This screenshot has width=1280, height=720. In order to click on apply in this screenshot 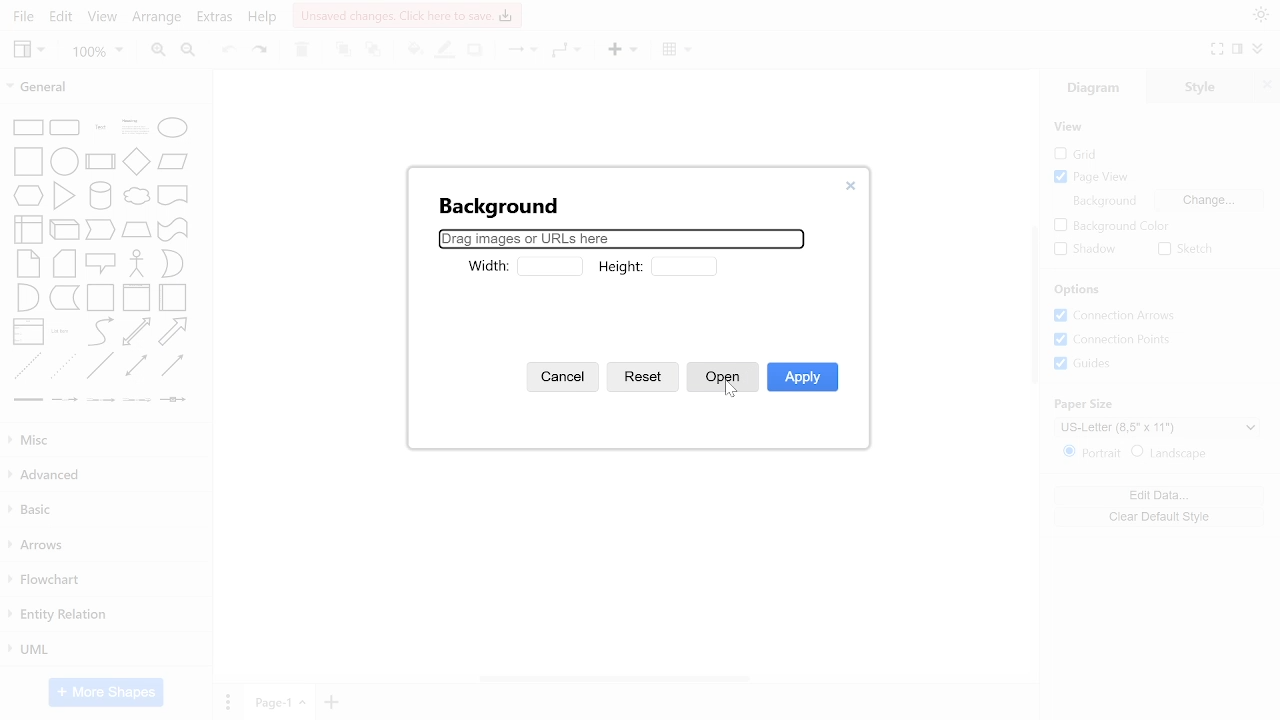, I will do `click(803, 379)`.